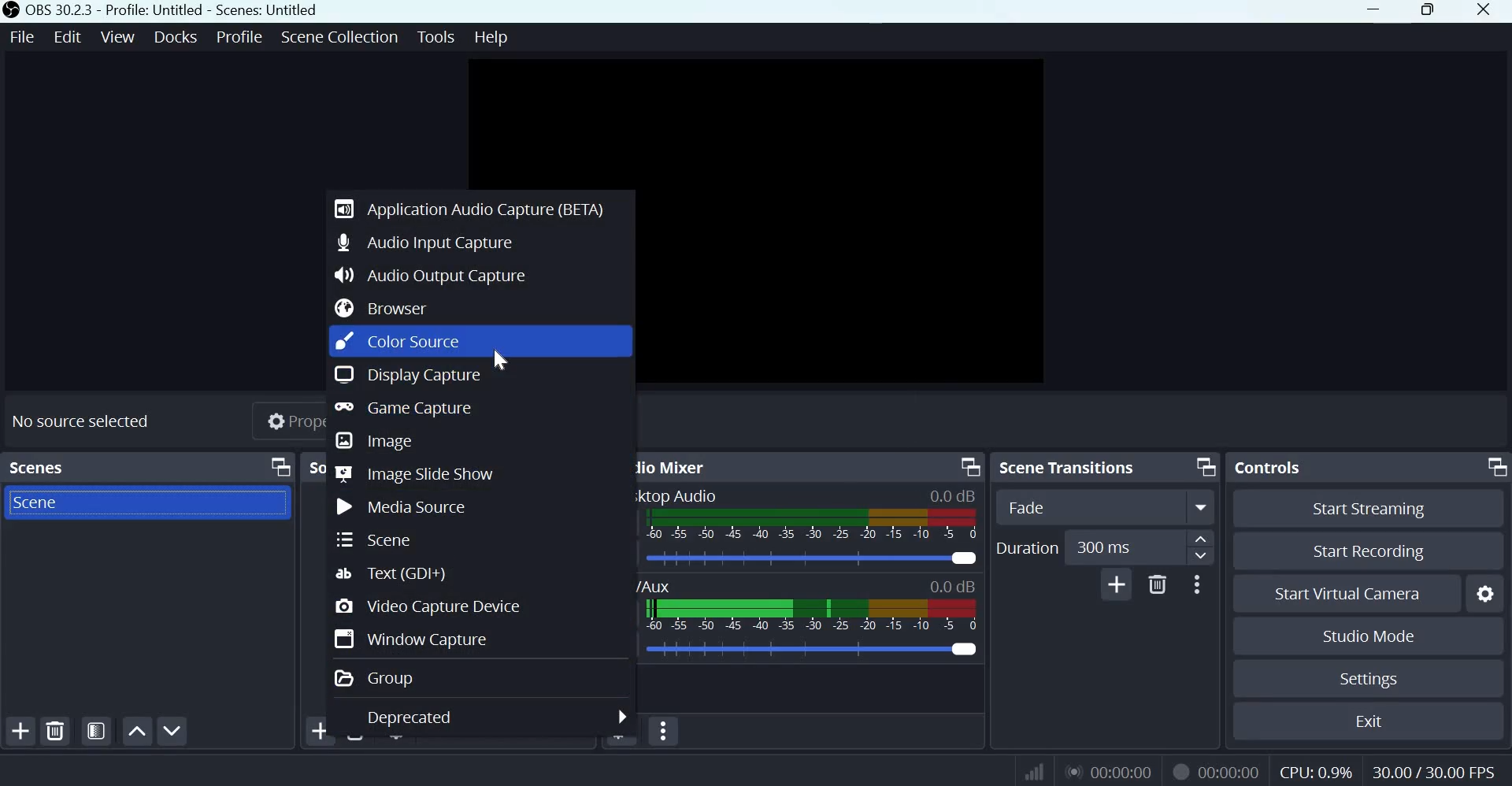 The width and height of the screenshot is (1512, 786). I want to click on Transition Type Dropdown, so click(1106, 507).